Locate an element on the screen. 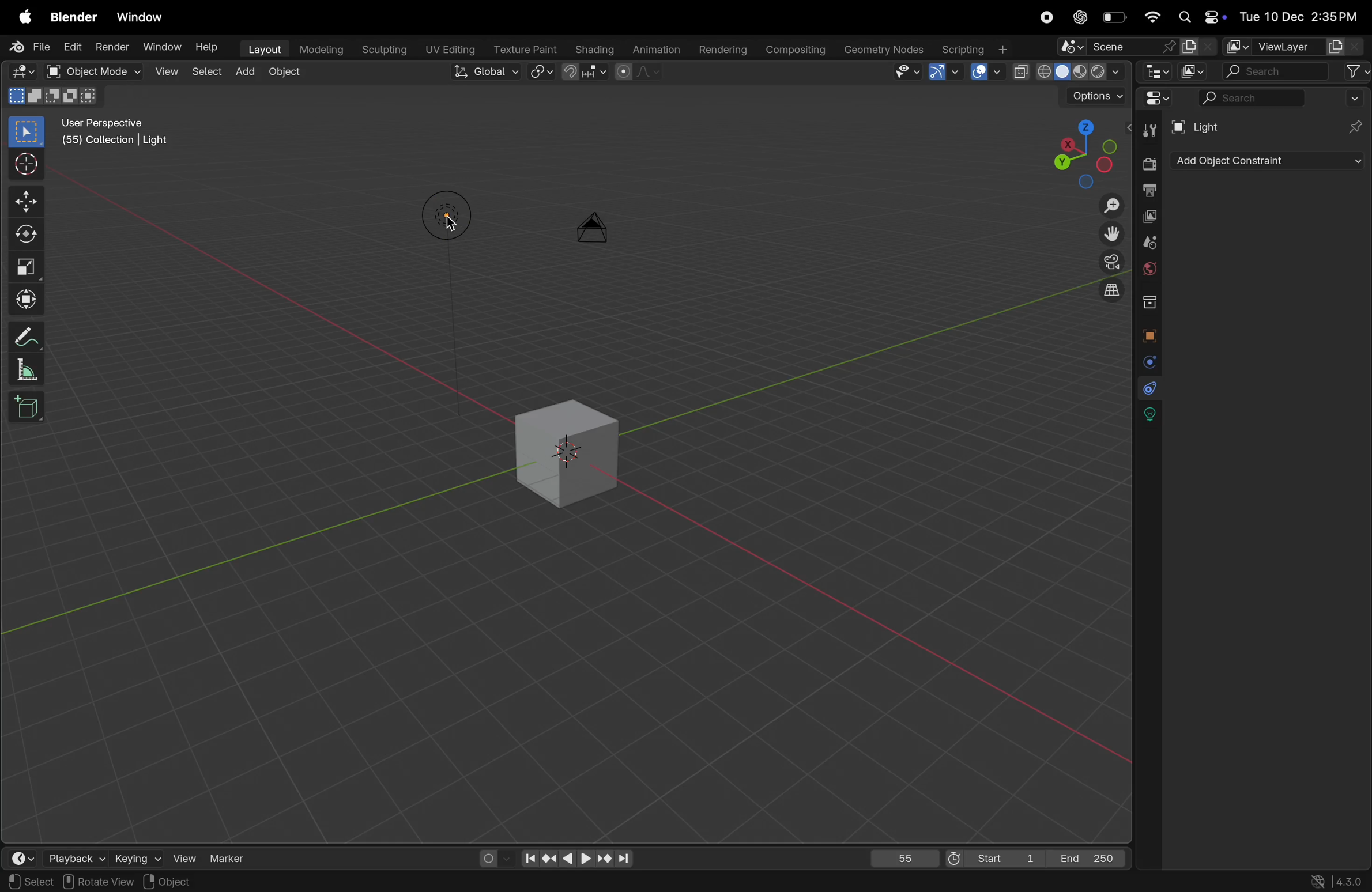  object is located at coordinates (1152, 334).